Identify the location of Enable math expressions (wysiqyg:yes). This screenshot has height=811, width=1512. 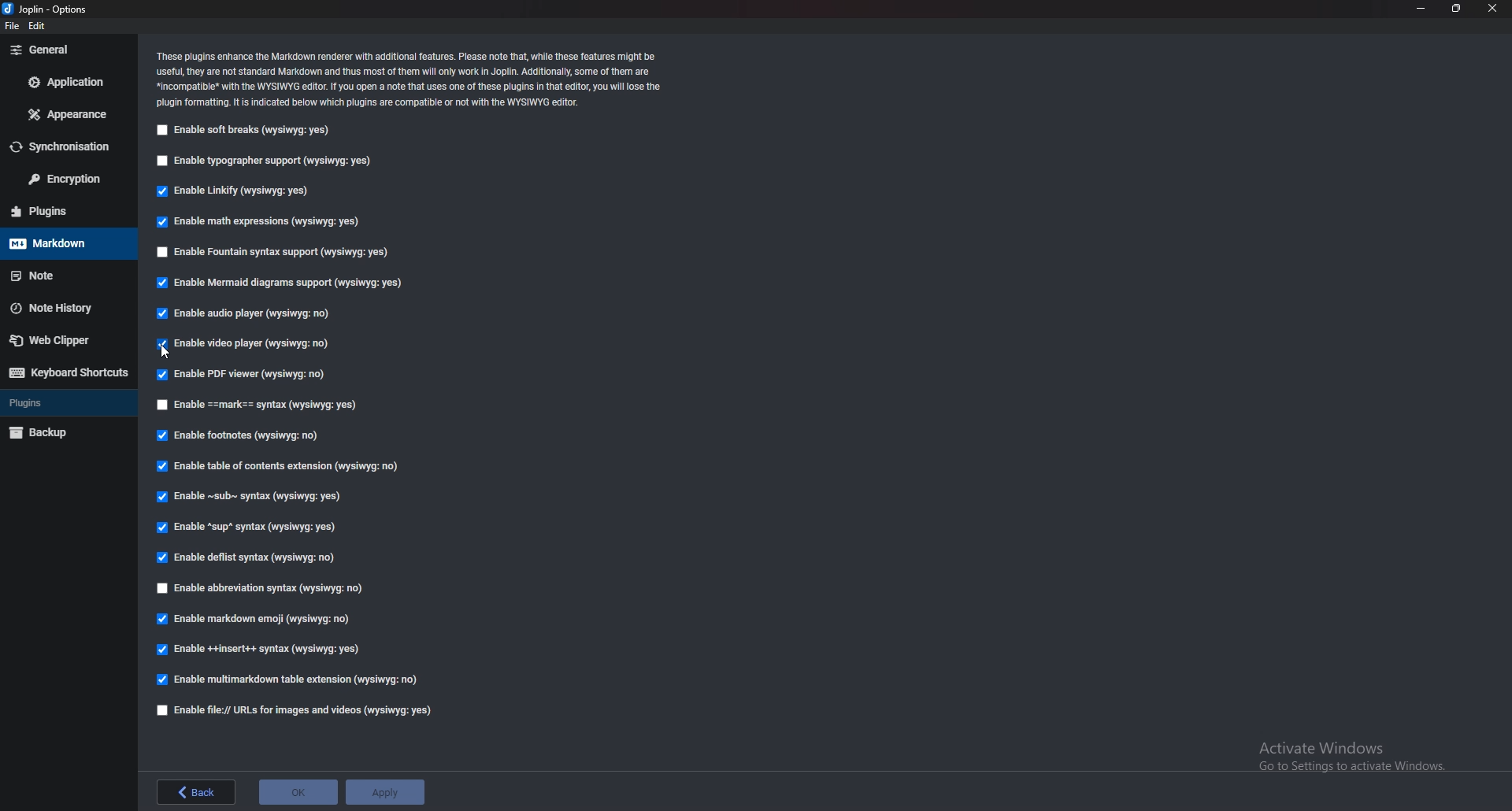
(269, 223).